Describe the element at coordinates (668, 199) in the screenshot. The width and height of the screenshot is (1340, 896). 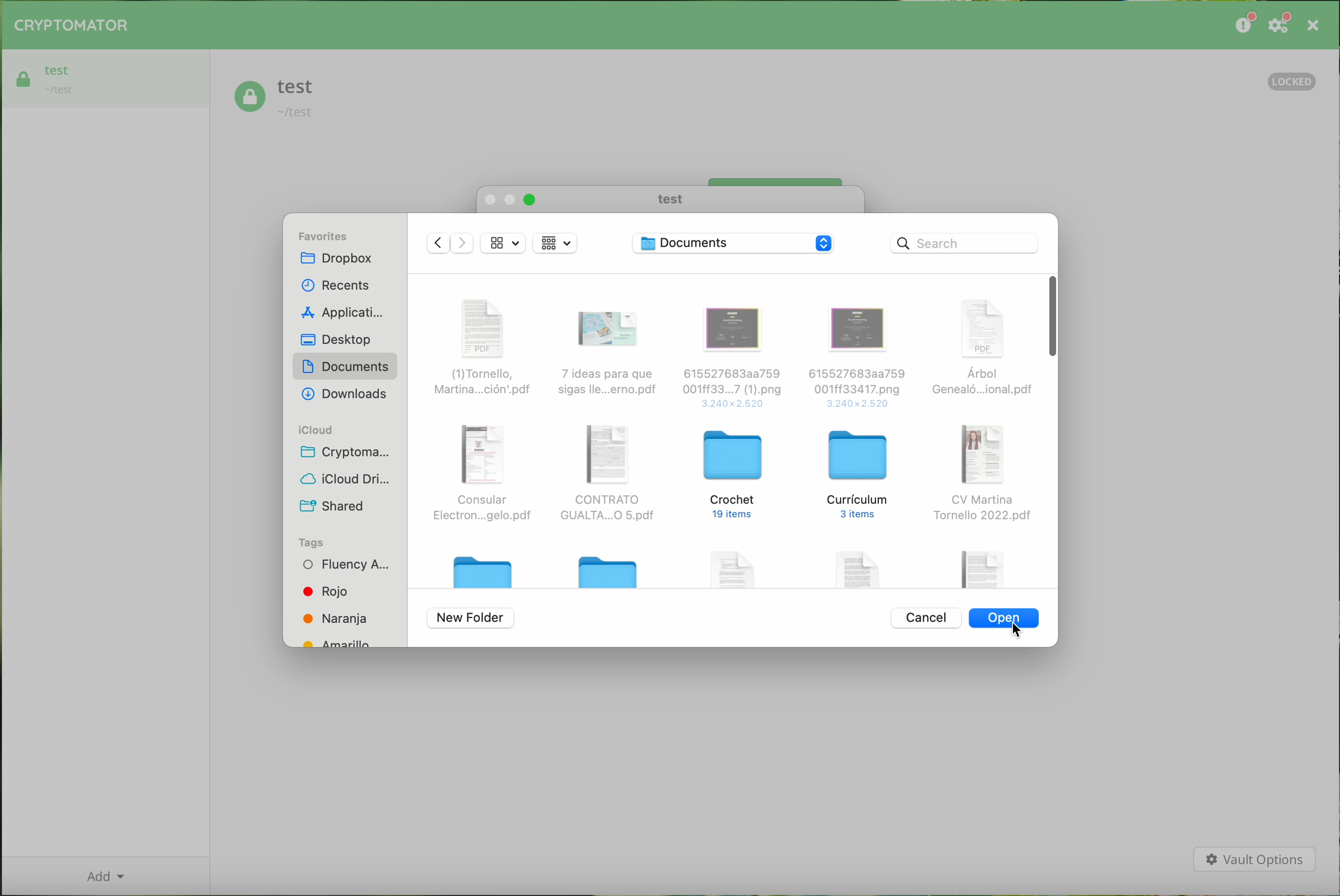
I see `test` at that location.